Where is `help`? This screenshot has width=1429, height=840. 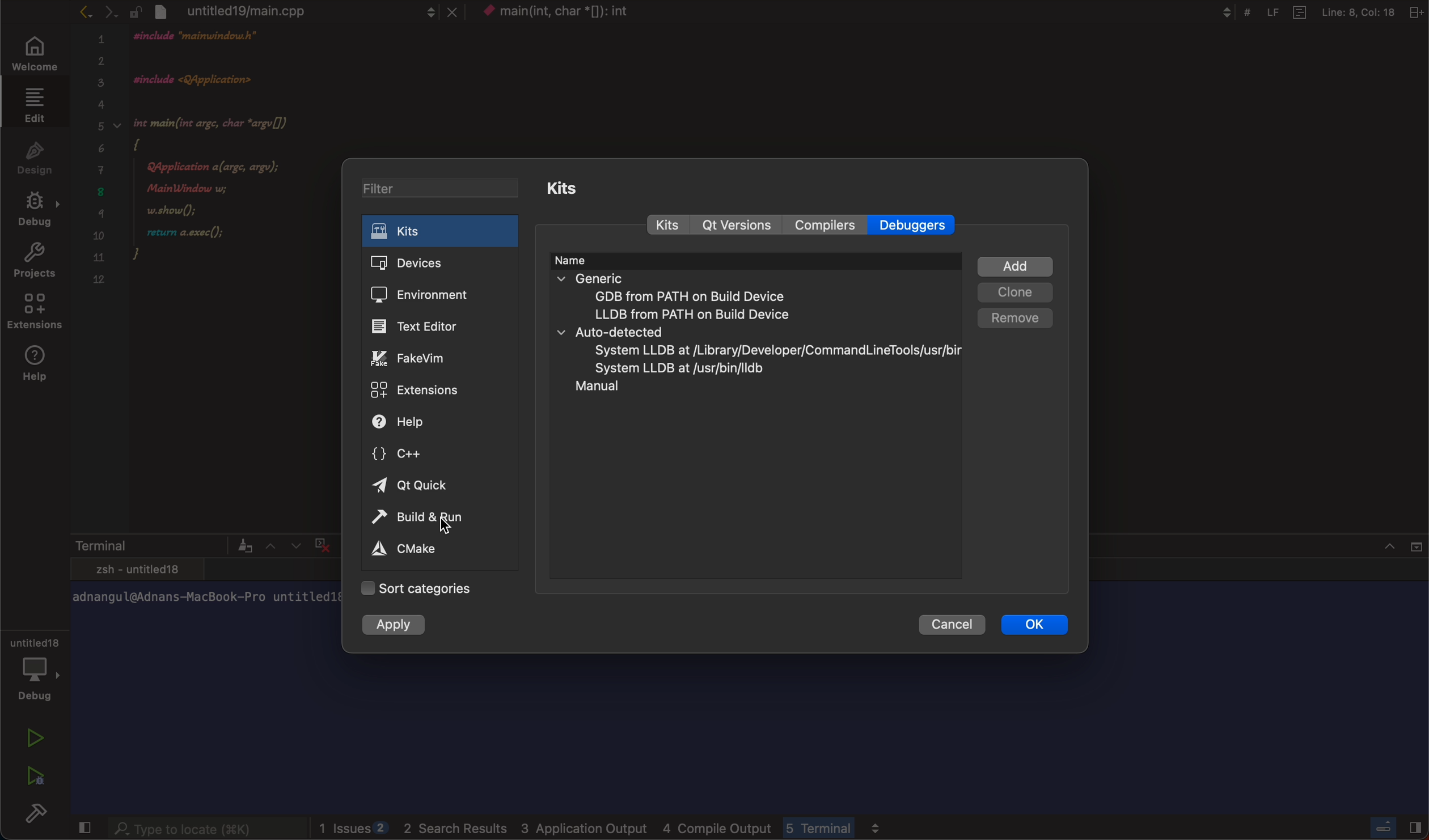
help is located at coordinates (40, 365).